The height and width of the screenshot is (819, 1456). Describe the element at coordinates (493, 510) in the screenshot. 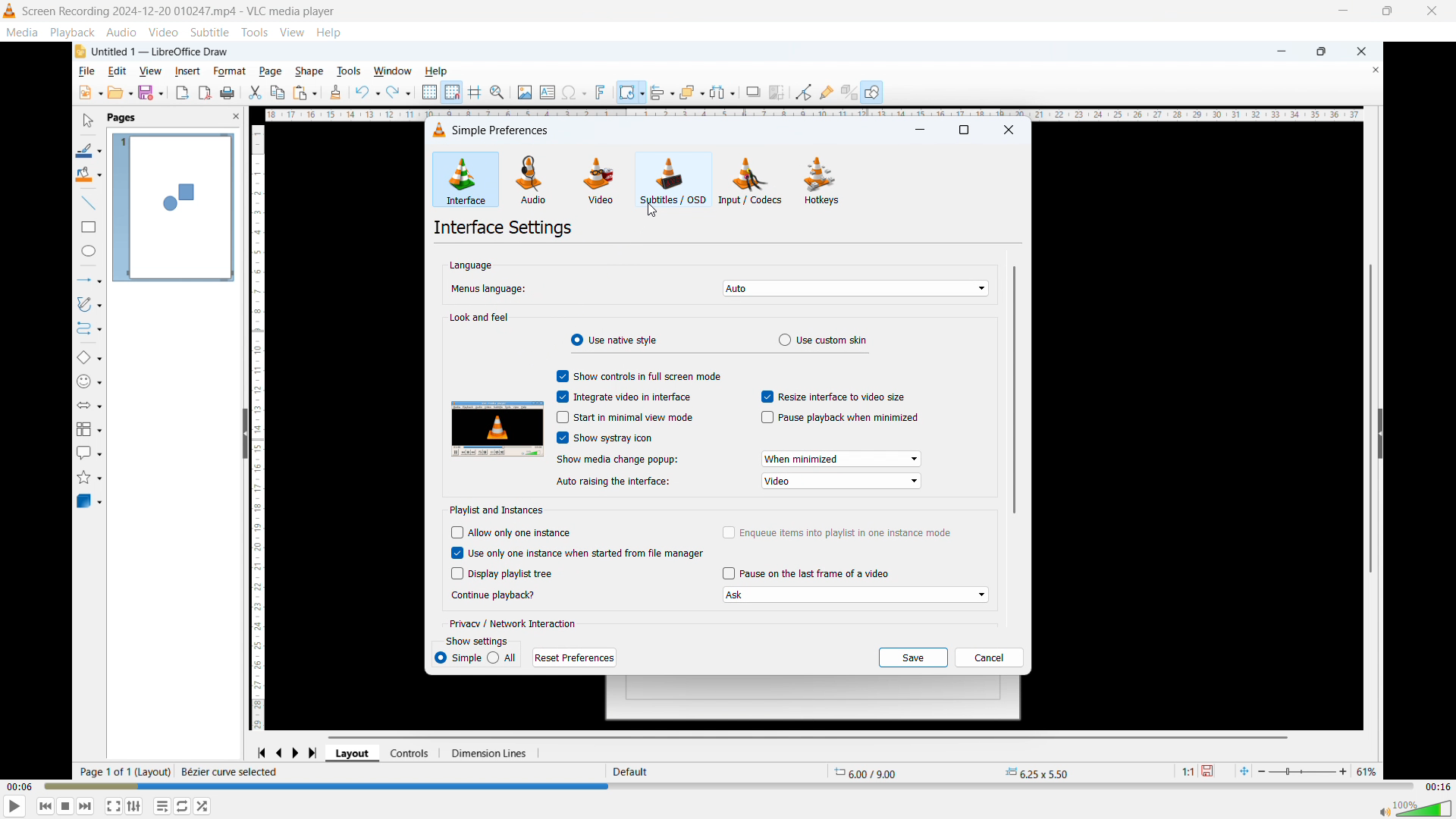

I see `Playlist and instances ` at that location.